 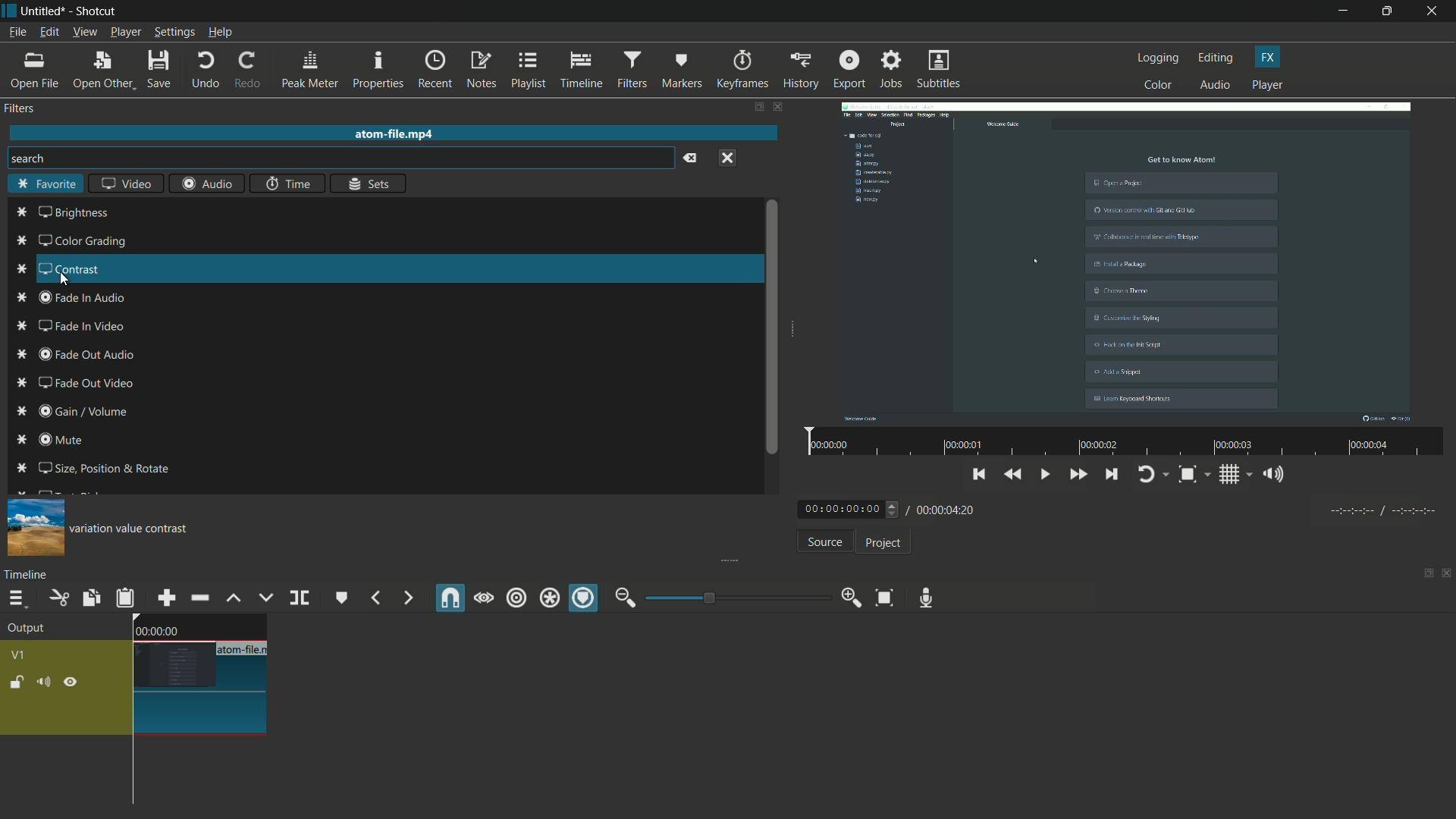 What do you see at coordinates (46, 11) in the screenshot?
I see `Untitled (file name)` at bounding box center [46, 11].